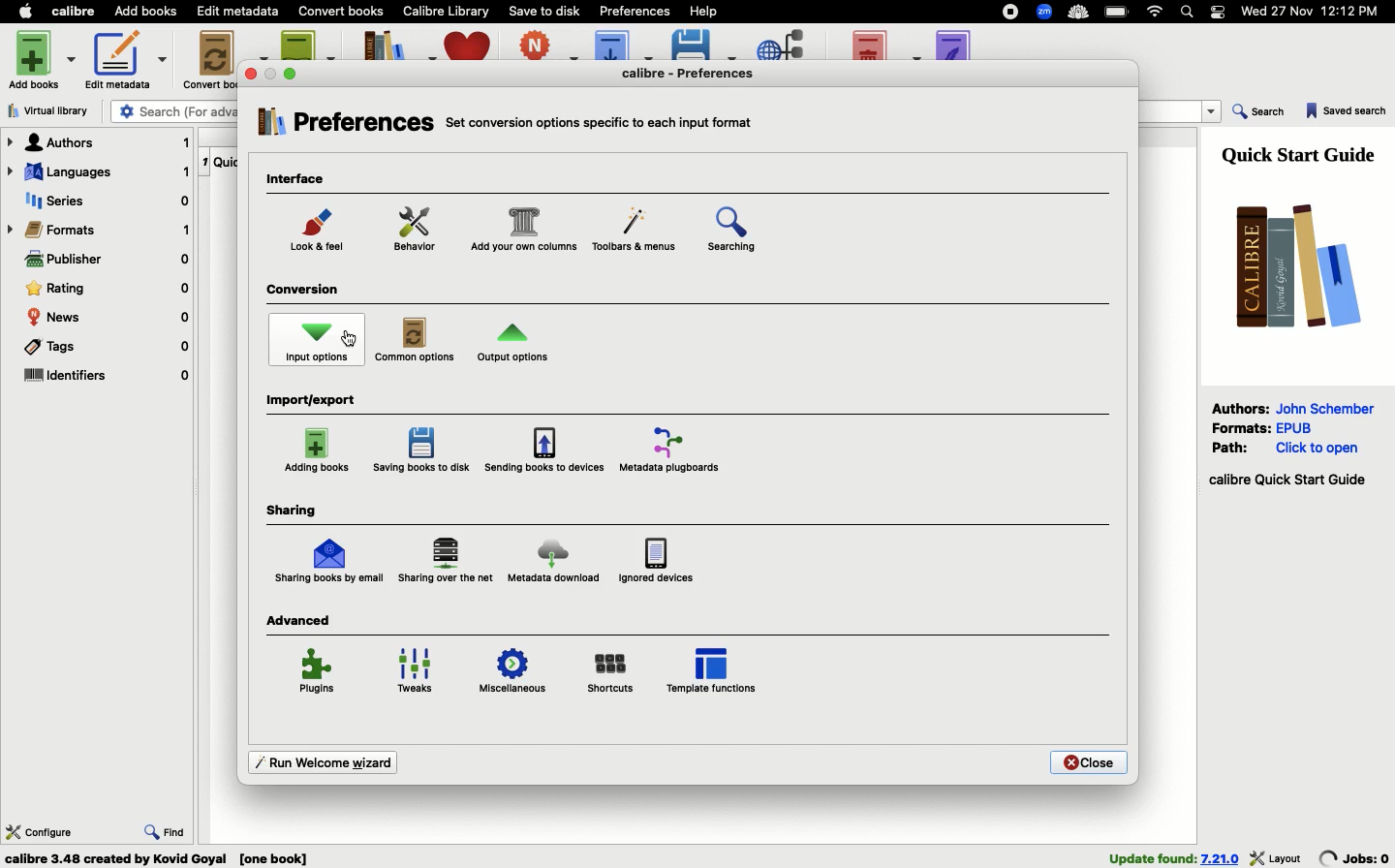  I want to click on jobs, so click(1355, 857).